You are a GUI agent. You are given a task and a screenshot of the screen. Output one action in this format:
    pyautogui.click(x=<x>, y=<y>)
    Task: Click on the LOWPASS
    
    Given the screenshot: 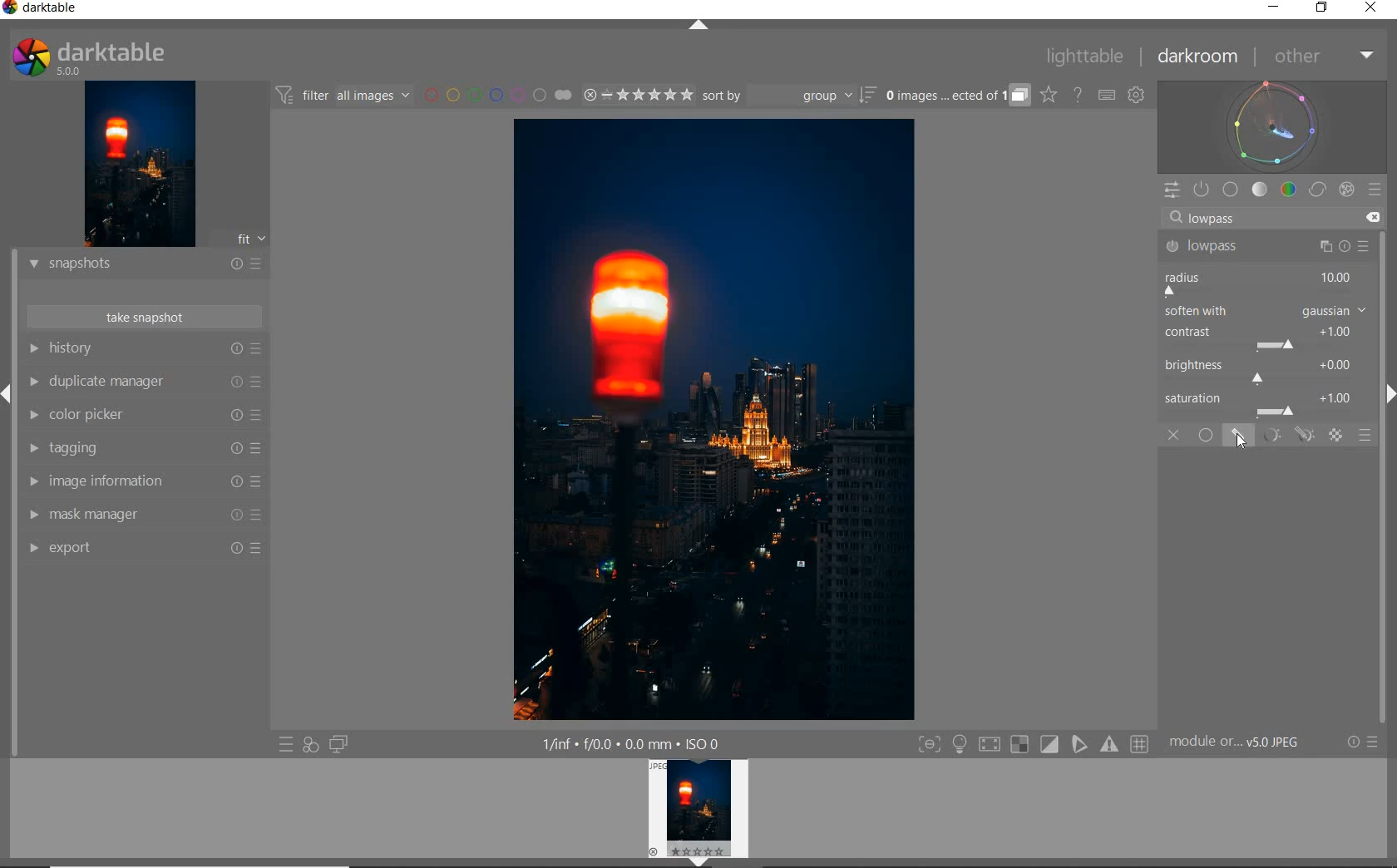 What is the action you would take?
    pyautogui.click(x=1222, y=248)
    